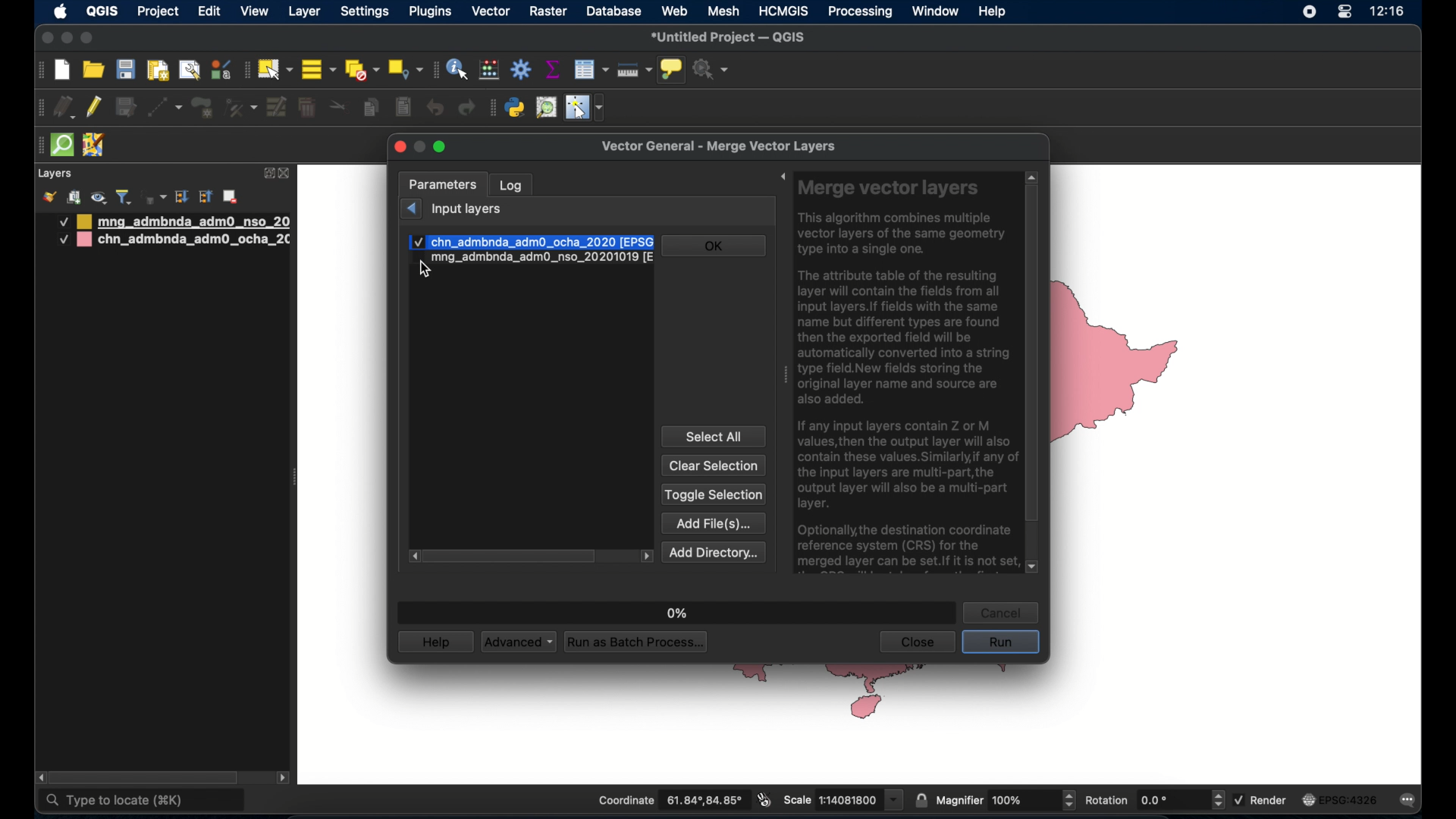 The width and height of the screenshot is (1456, 819). Describe the element at coordinates (42, 110) in the screenshot. I see `digitizing toolbar` at that location.